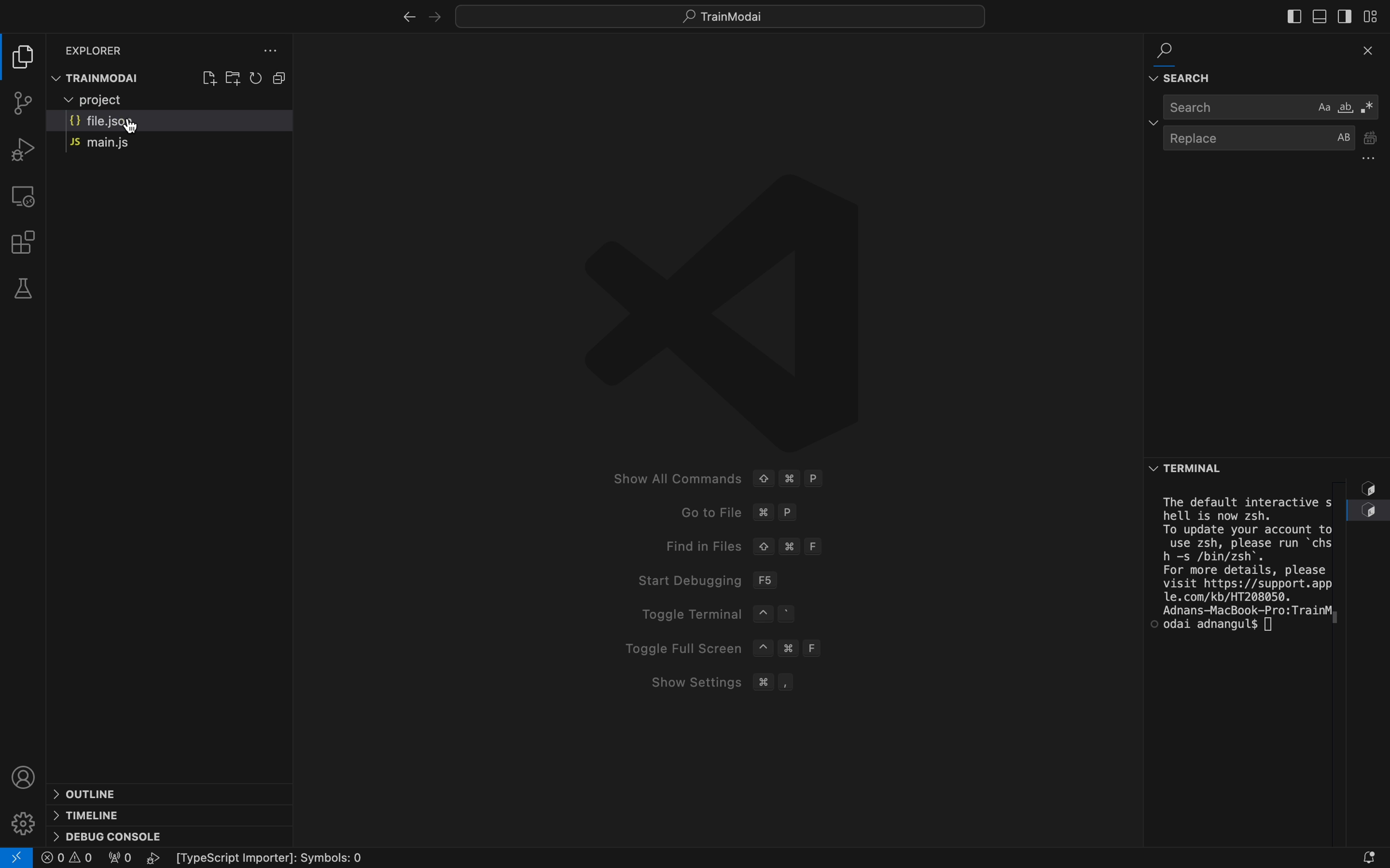 The image size is (1390, 868). I want to click on remote explorer , so click(25, 196).